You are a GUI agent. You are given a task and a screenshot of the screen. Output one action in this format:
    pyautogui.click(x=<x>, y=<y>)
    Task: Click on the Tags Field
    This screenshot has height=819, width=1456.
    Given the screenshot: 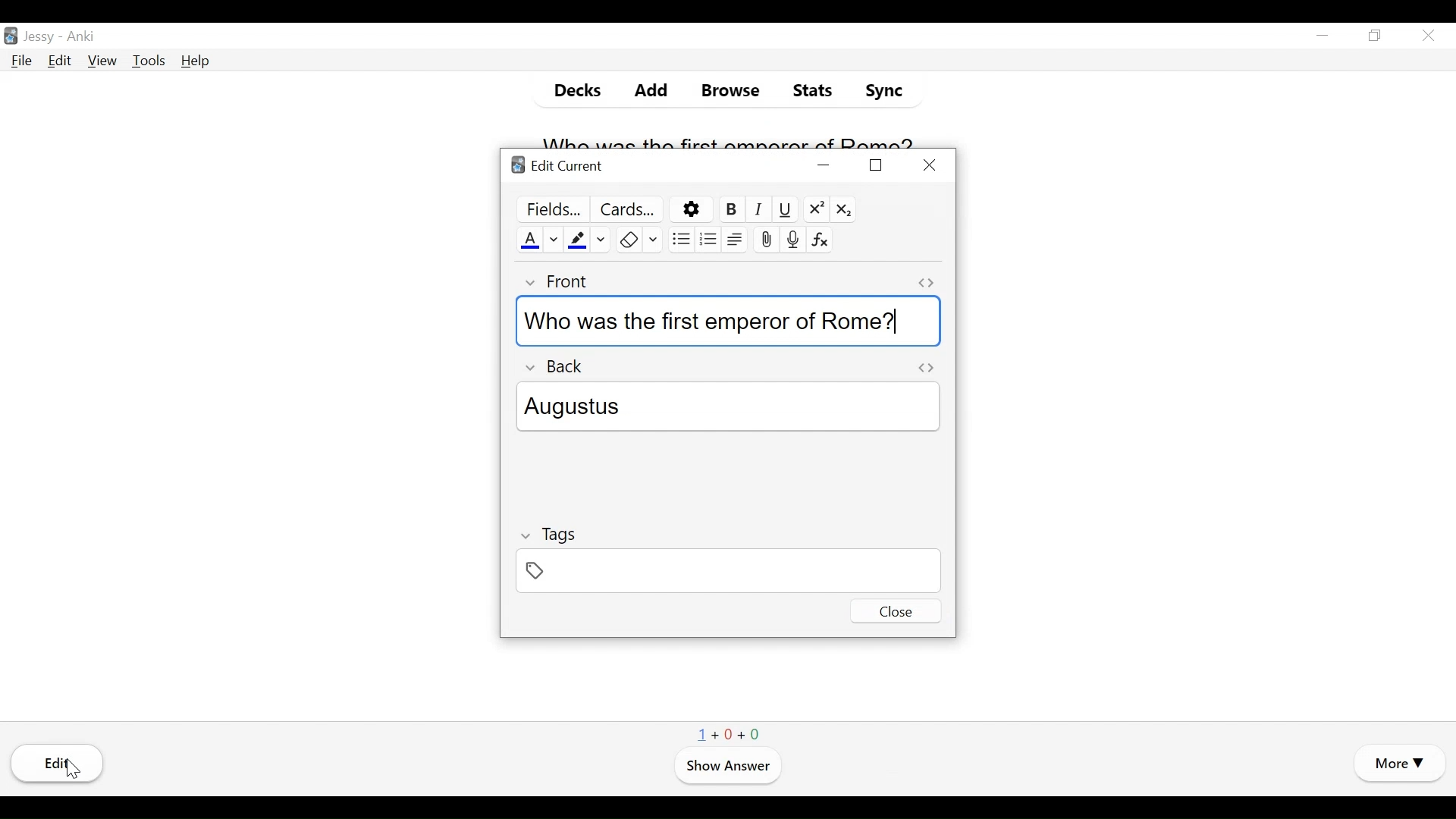 What is the action you would take?
    pyautogui.click(x=727, y=570)
    